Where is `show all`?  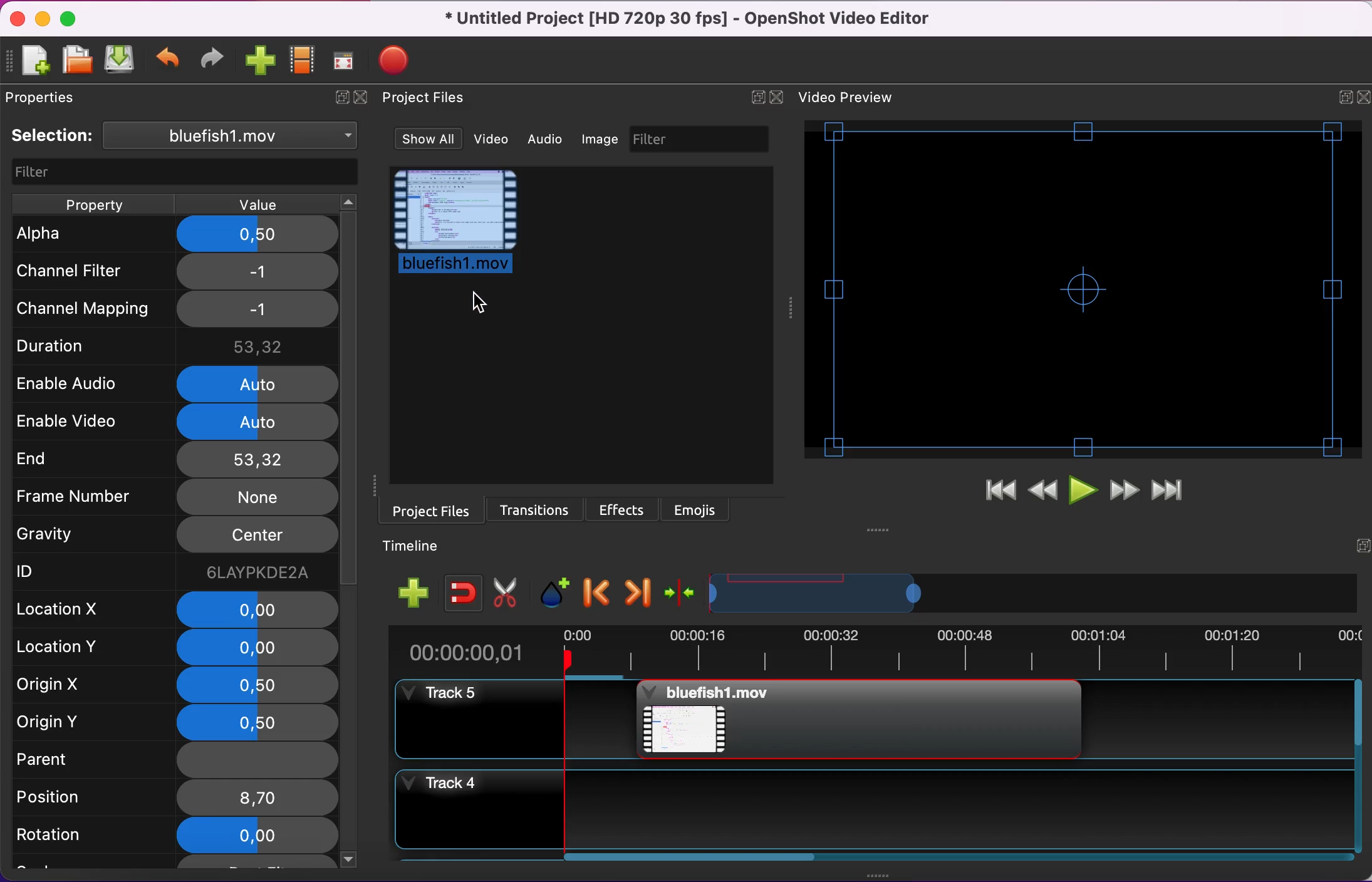 show all is located at coordinates (430, 138).